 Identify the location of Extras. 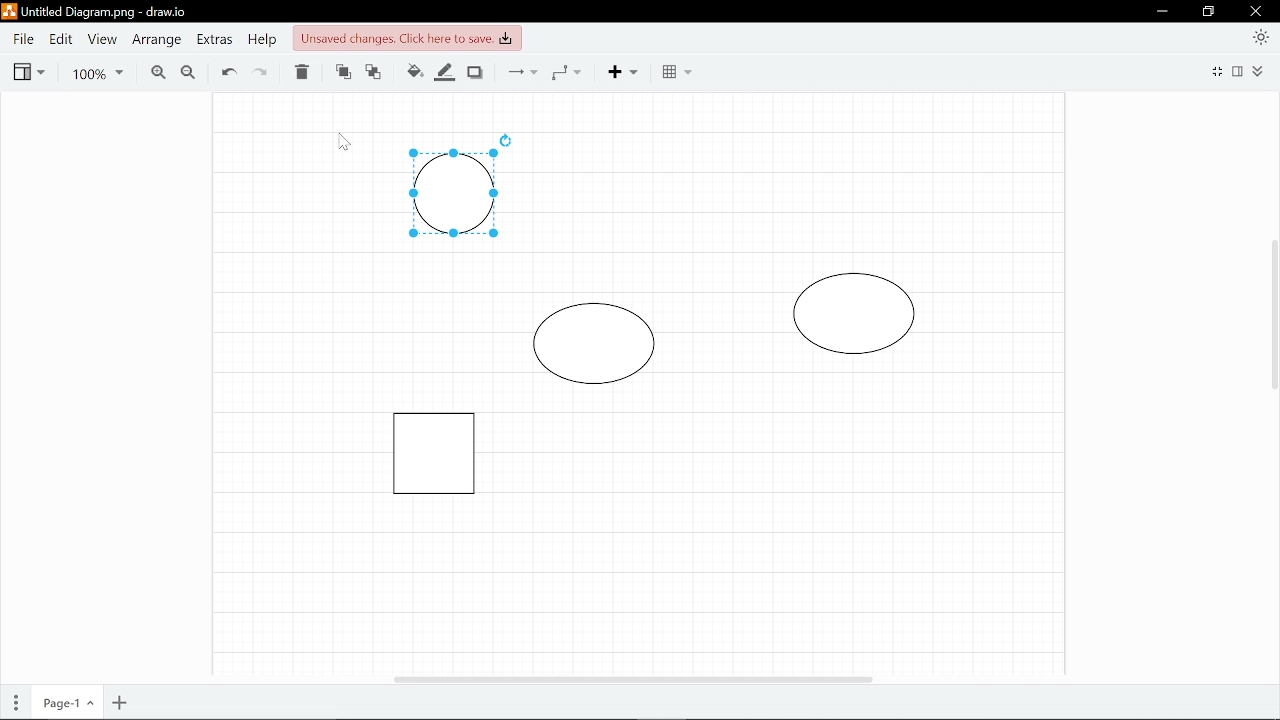
(214, 39).